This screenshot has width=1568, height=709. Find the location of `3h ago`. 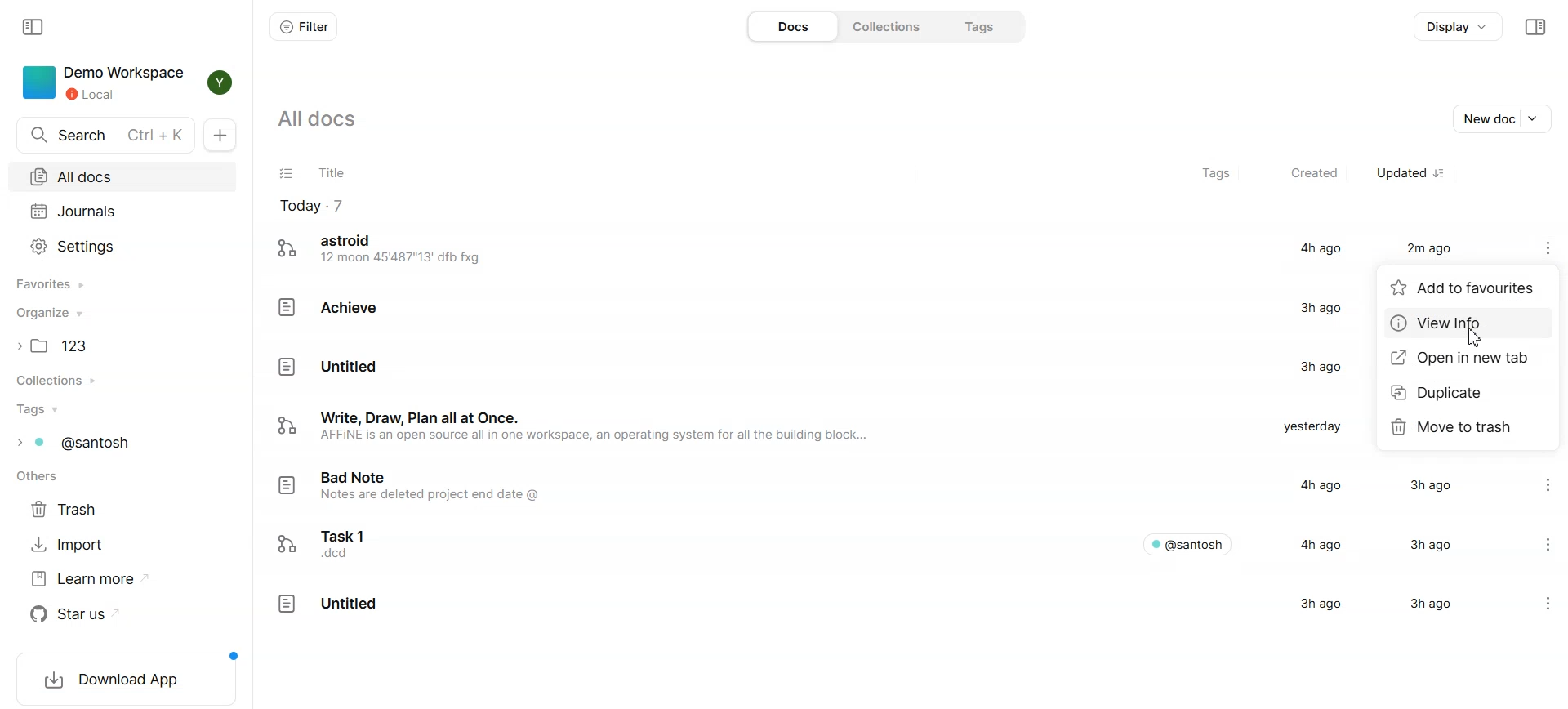

3h ago is located at coordinates (1425, 486).